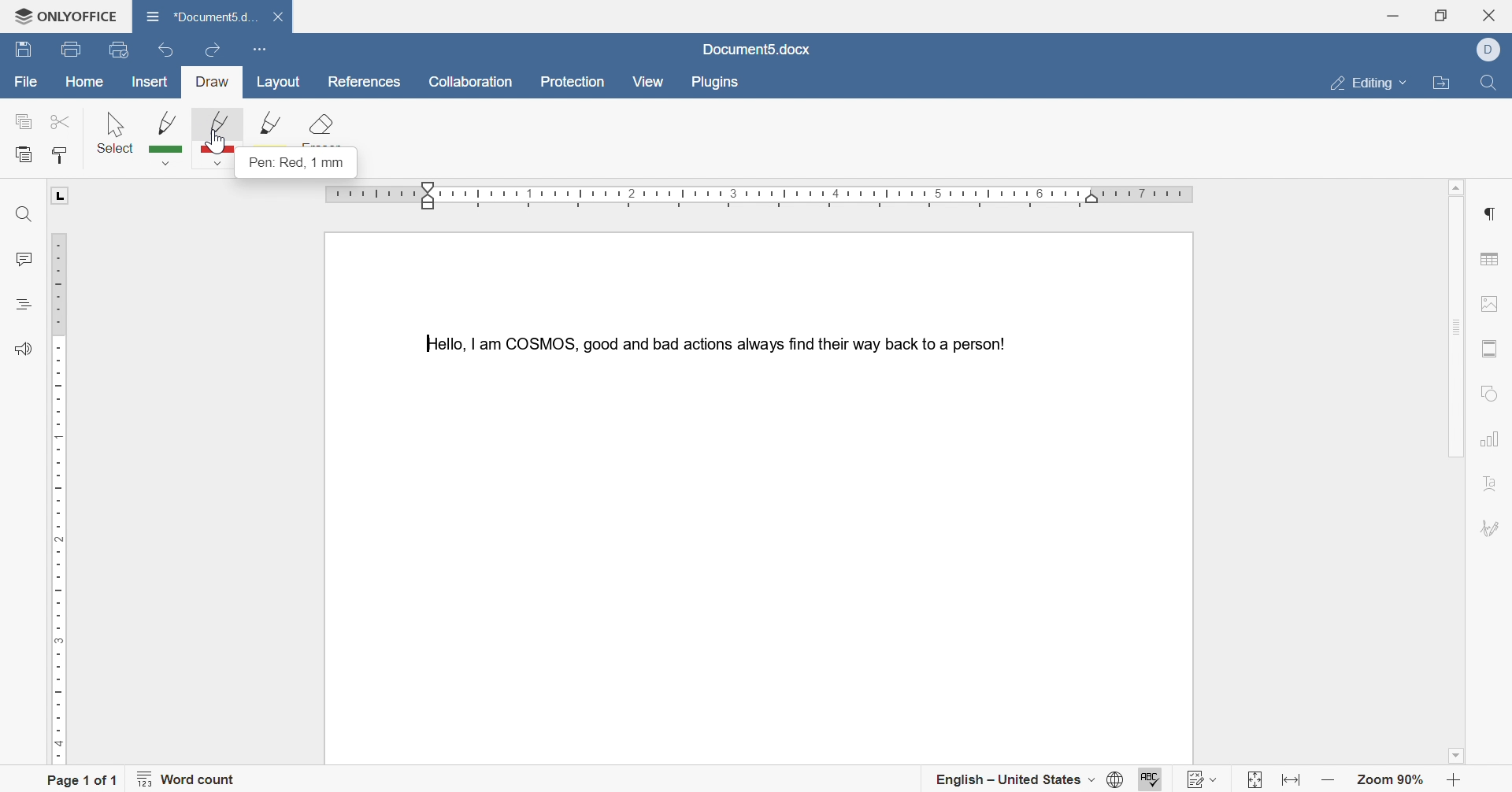  I want to click on set document language, so click(1113, 781).